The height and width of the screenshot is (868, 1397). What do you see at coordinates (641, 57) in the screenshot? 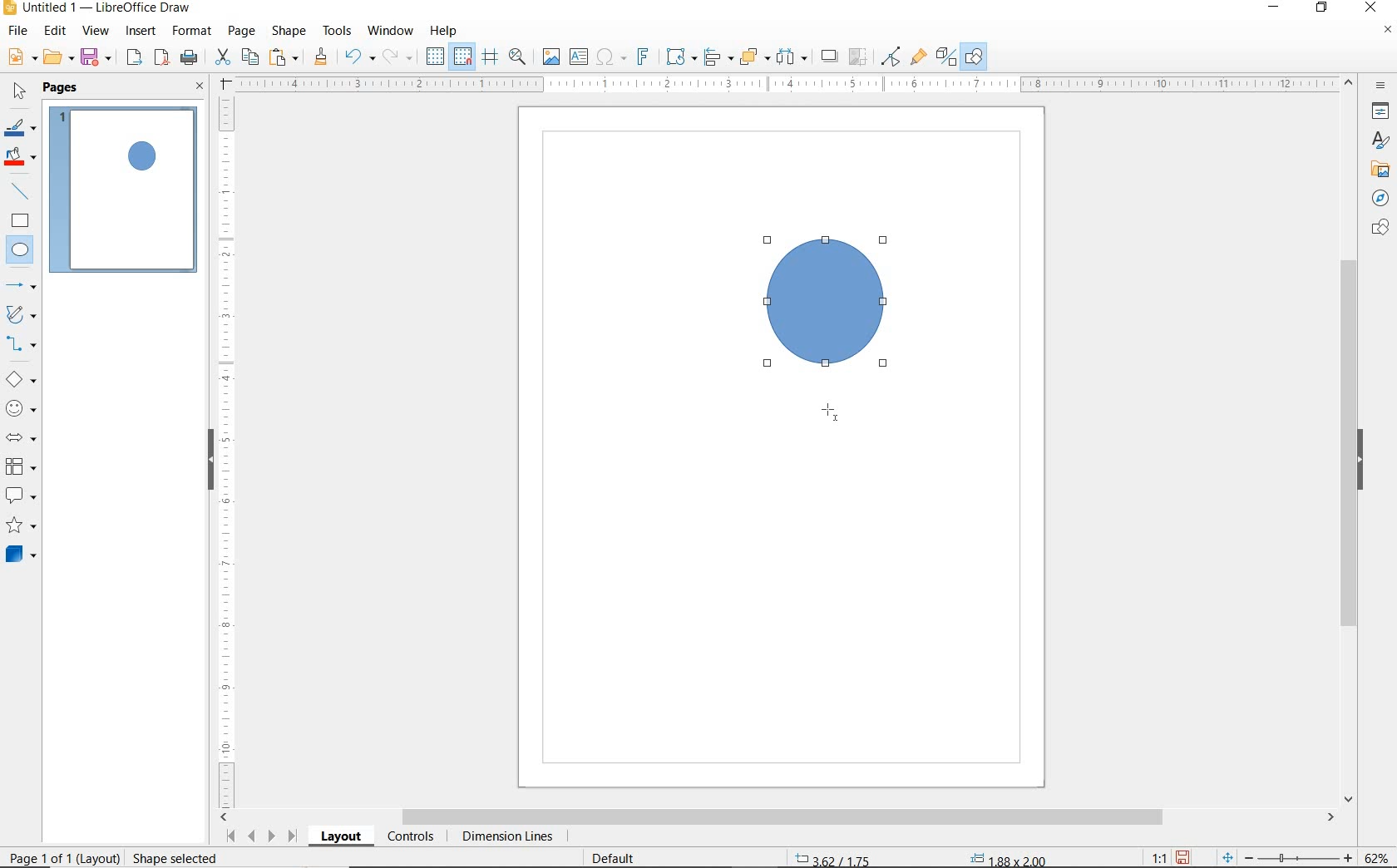
I see `INSERT FONTWORK TEXT` at bounding box center [641, 57].